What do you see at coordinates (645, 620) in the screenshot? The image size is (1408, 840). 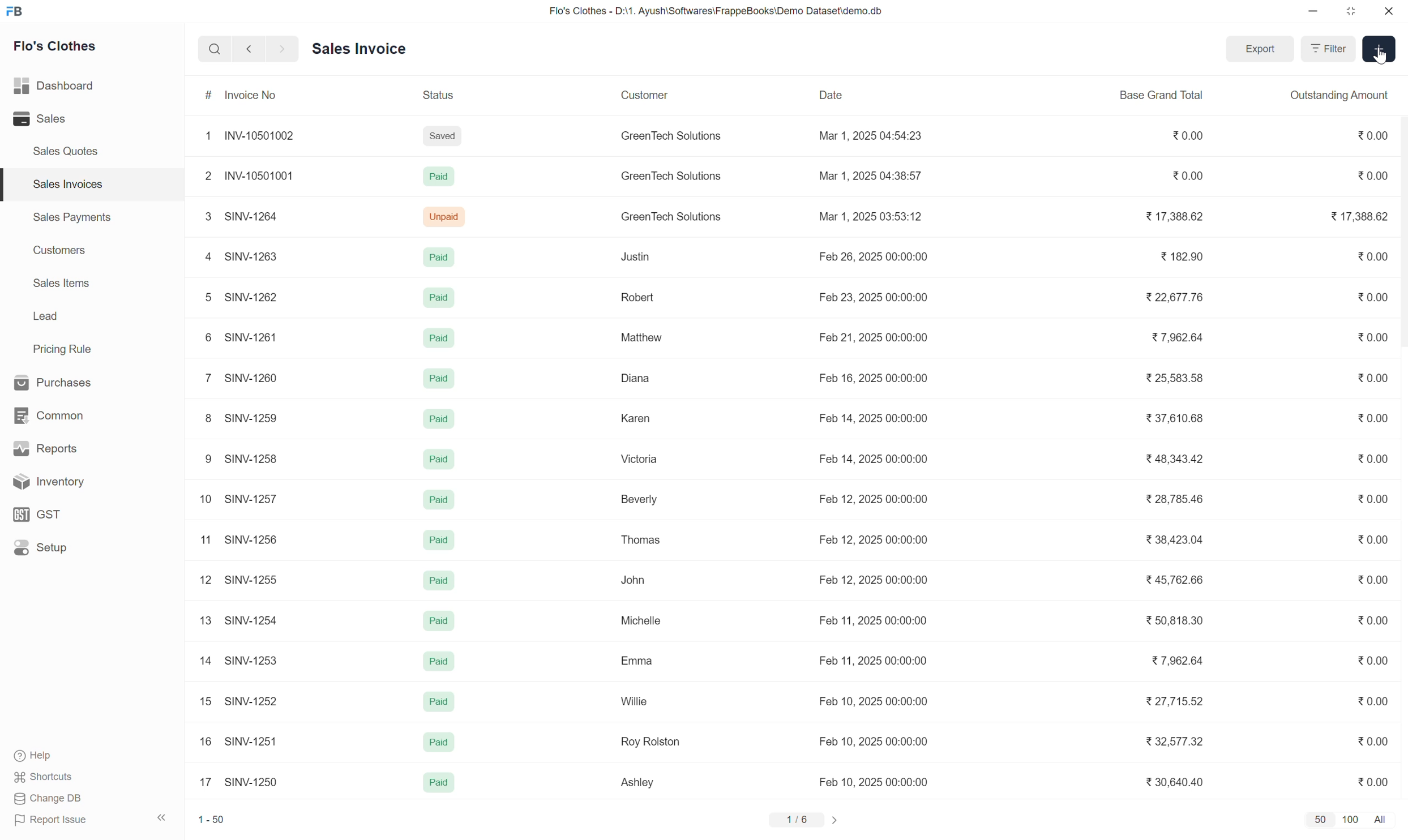 I see `Michelle` at bounding box center [645, 620].